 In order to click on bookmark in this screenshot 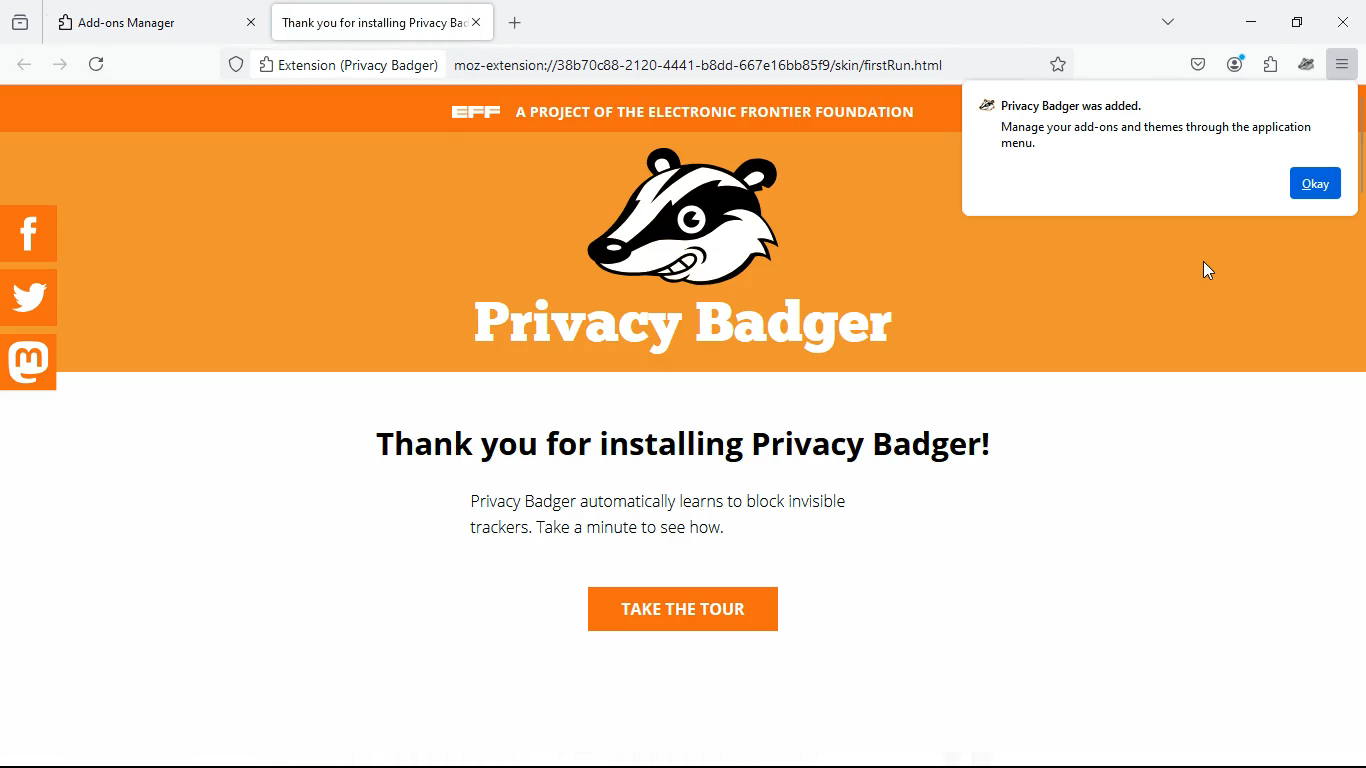, I will do `click(1061, 63)`.